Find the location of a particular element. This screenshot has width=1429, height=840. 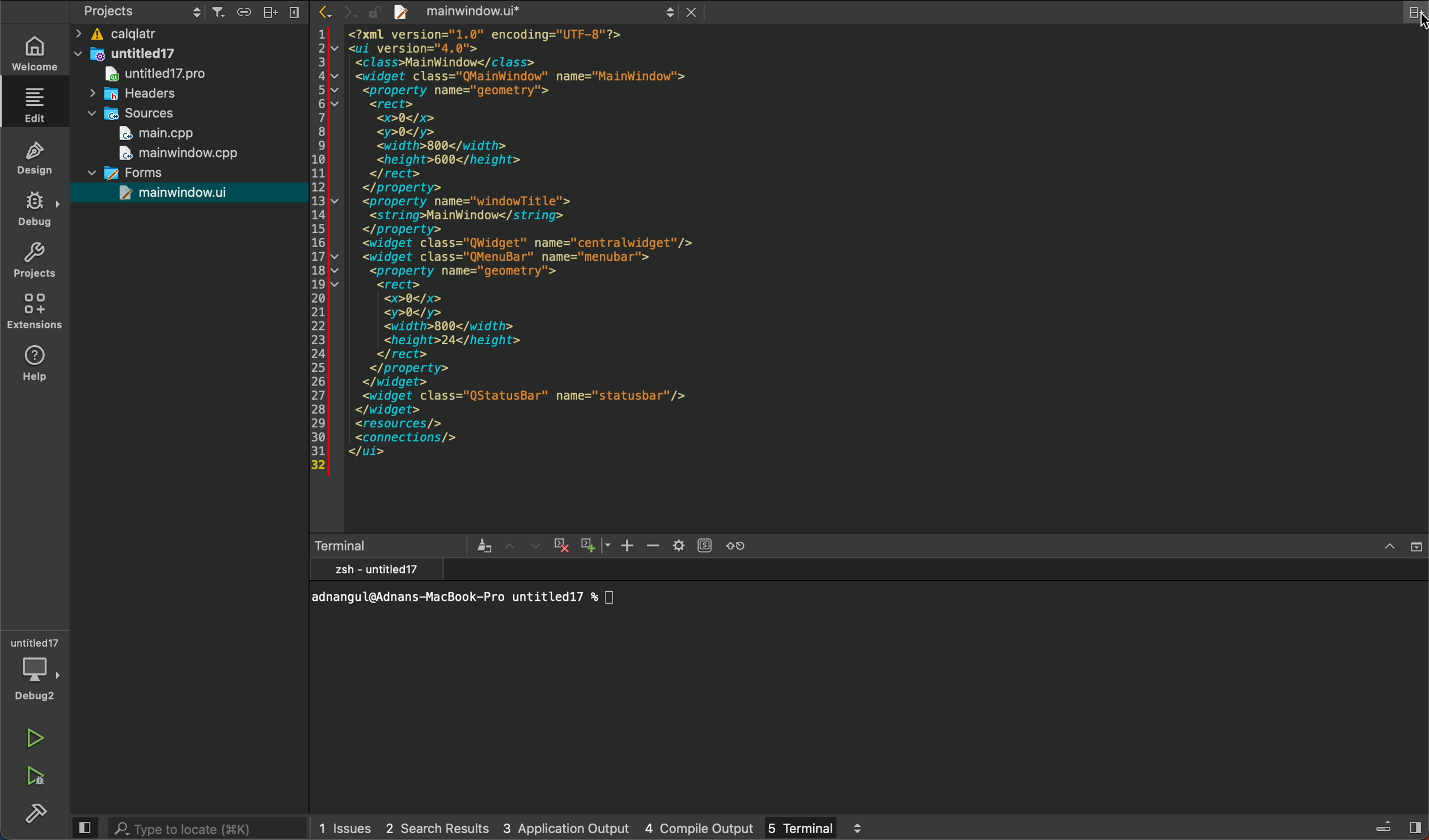

main window is located at coordinates (174, 153).